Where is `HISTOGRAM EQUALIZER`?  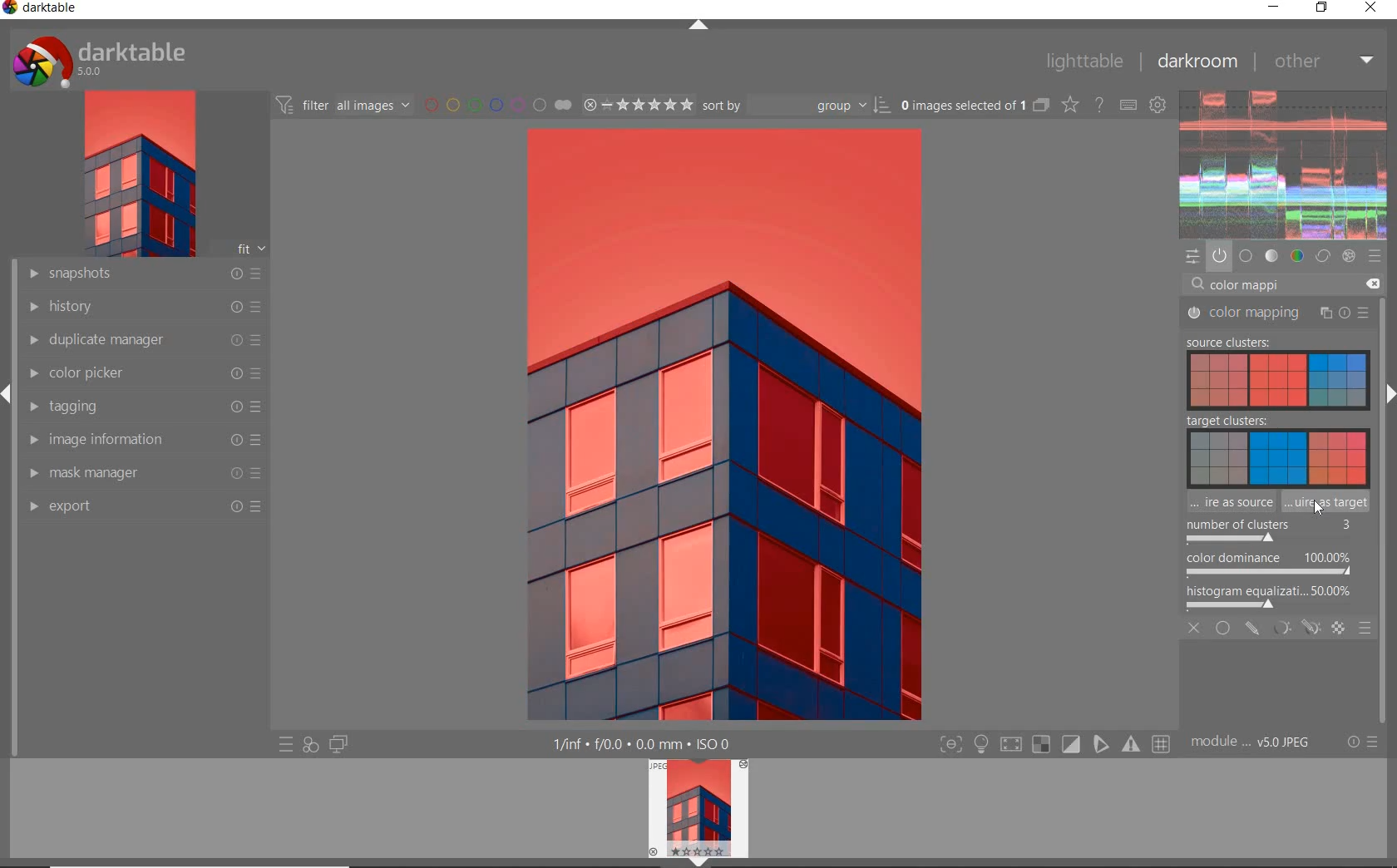 HISTOGRAM EQUALIZER is located at coordinates (1271, 596).